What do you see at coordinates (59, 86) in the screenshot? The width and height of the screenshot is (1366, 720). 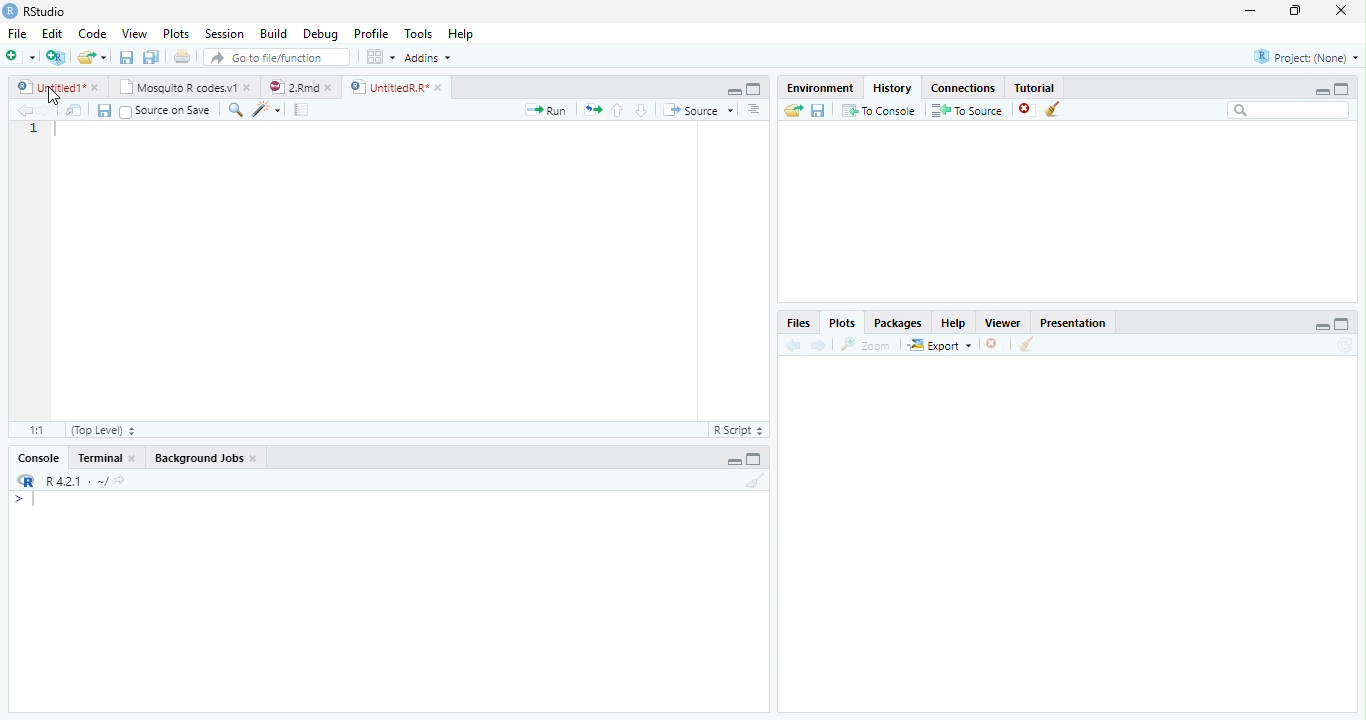 I see `Untitled` at bounding box center [59, 86].